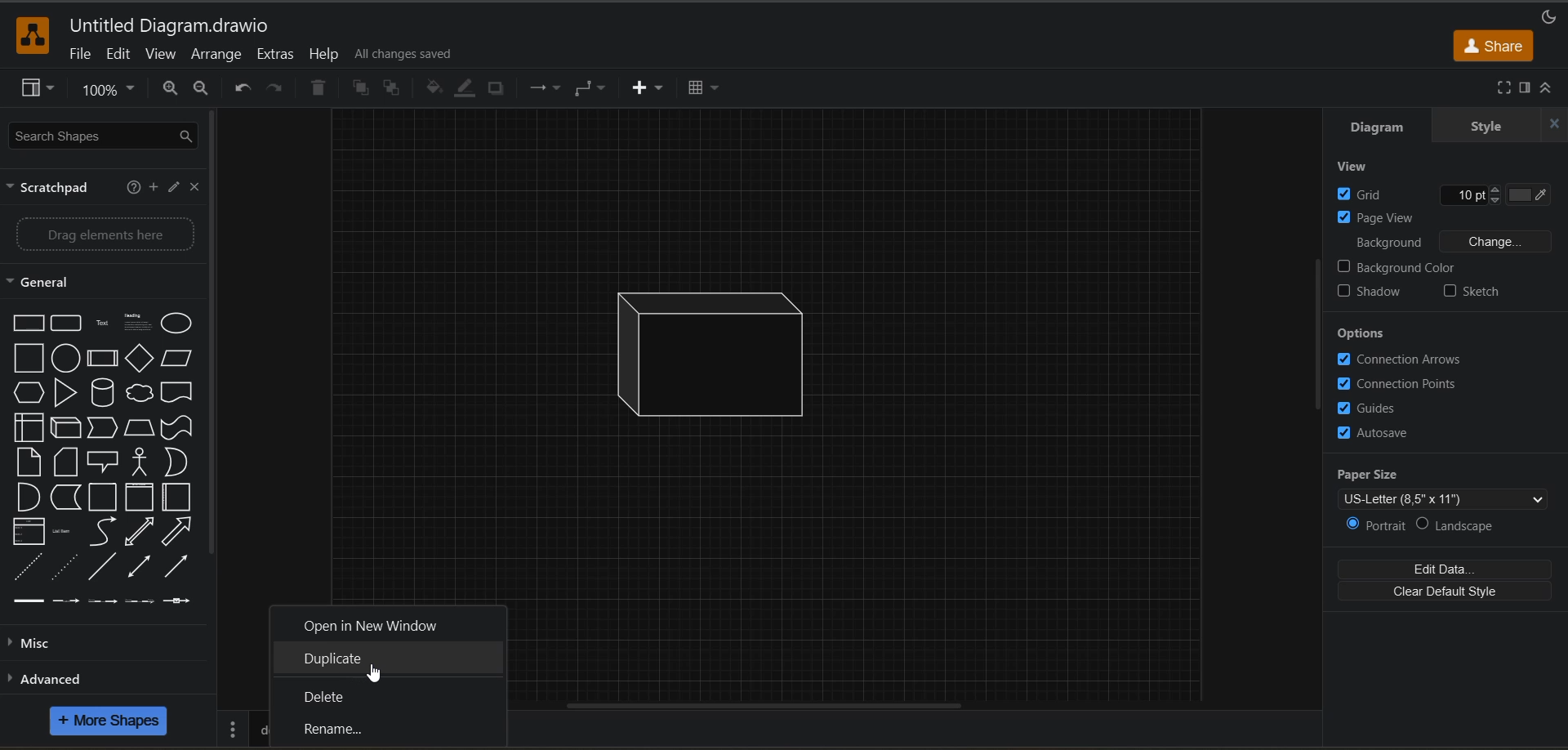 This screenshot has height=750, width=1568. I want to click on open in new window, so click(373, 623).